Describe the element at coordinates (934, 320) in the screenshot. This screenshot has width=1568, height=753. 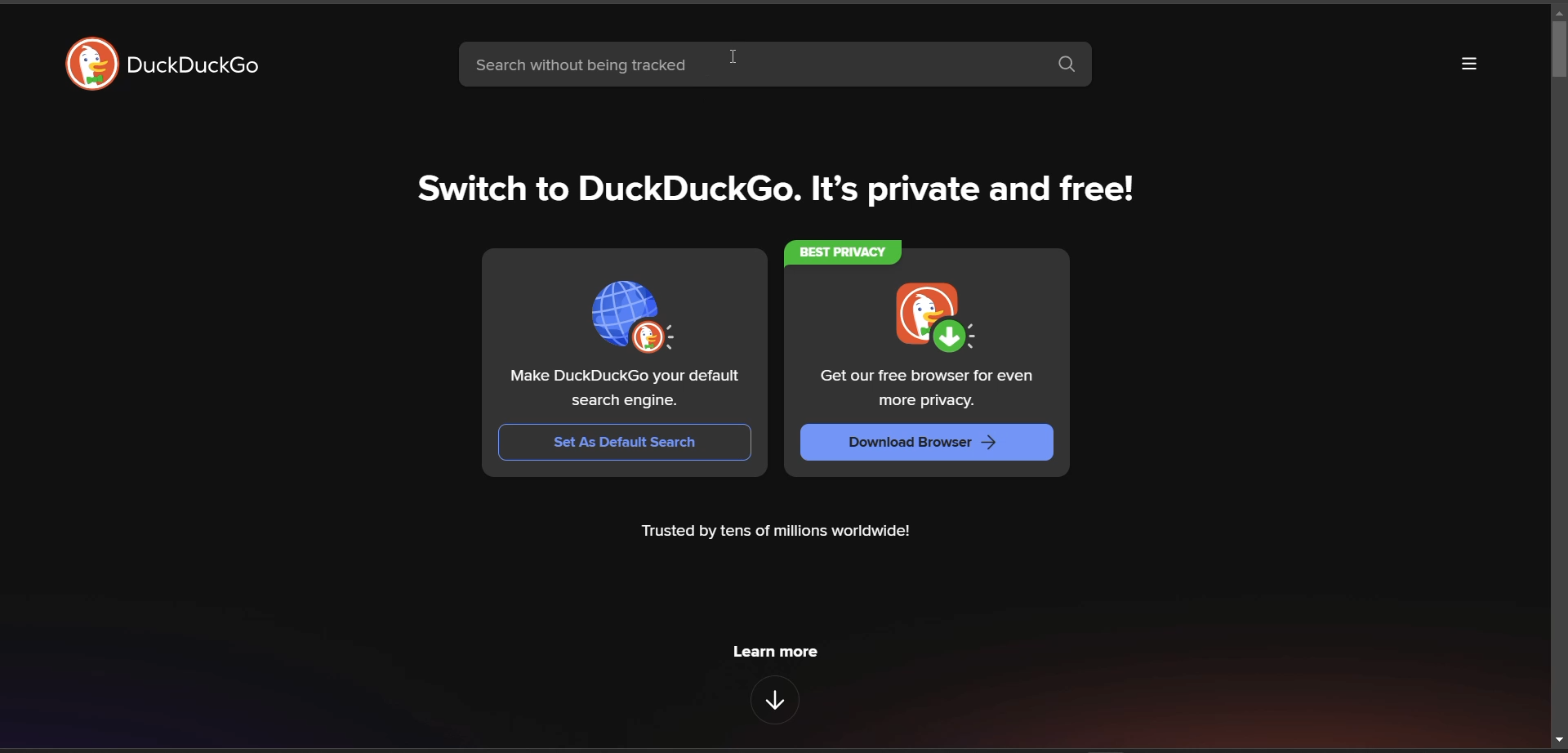
I see `logo` at that location.